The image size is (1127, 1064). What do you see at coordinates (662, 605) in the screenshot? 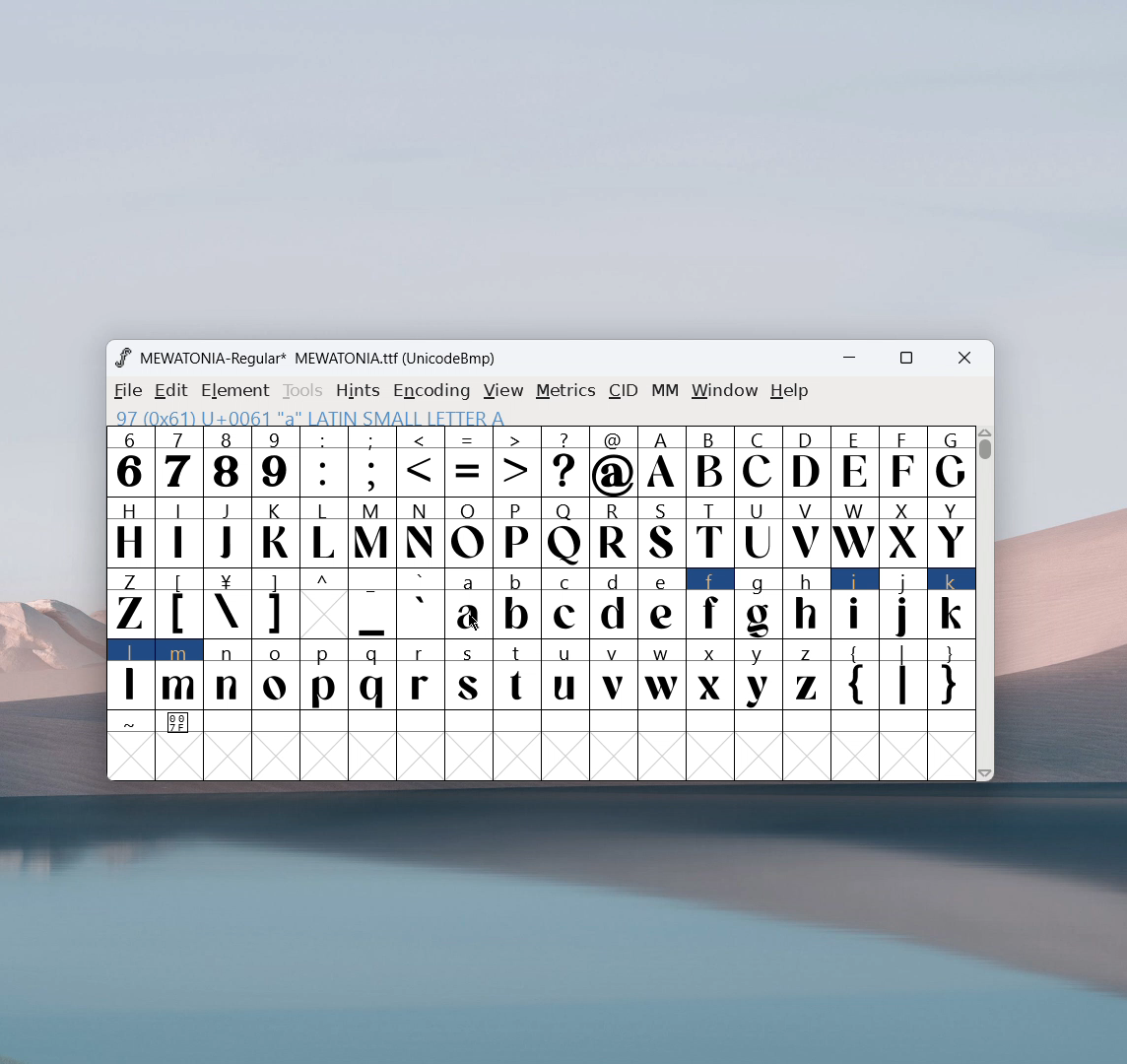
I see `e` at bounding box center [662, 605].